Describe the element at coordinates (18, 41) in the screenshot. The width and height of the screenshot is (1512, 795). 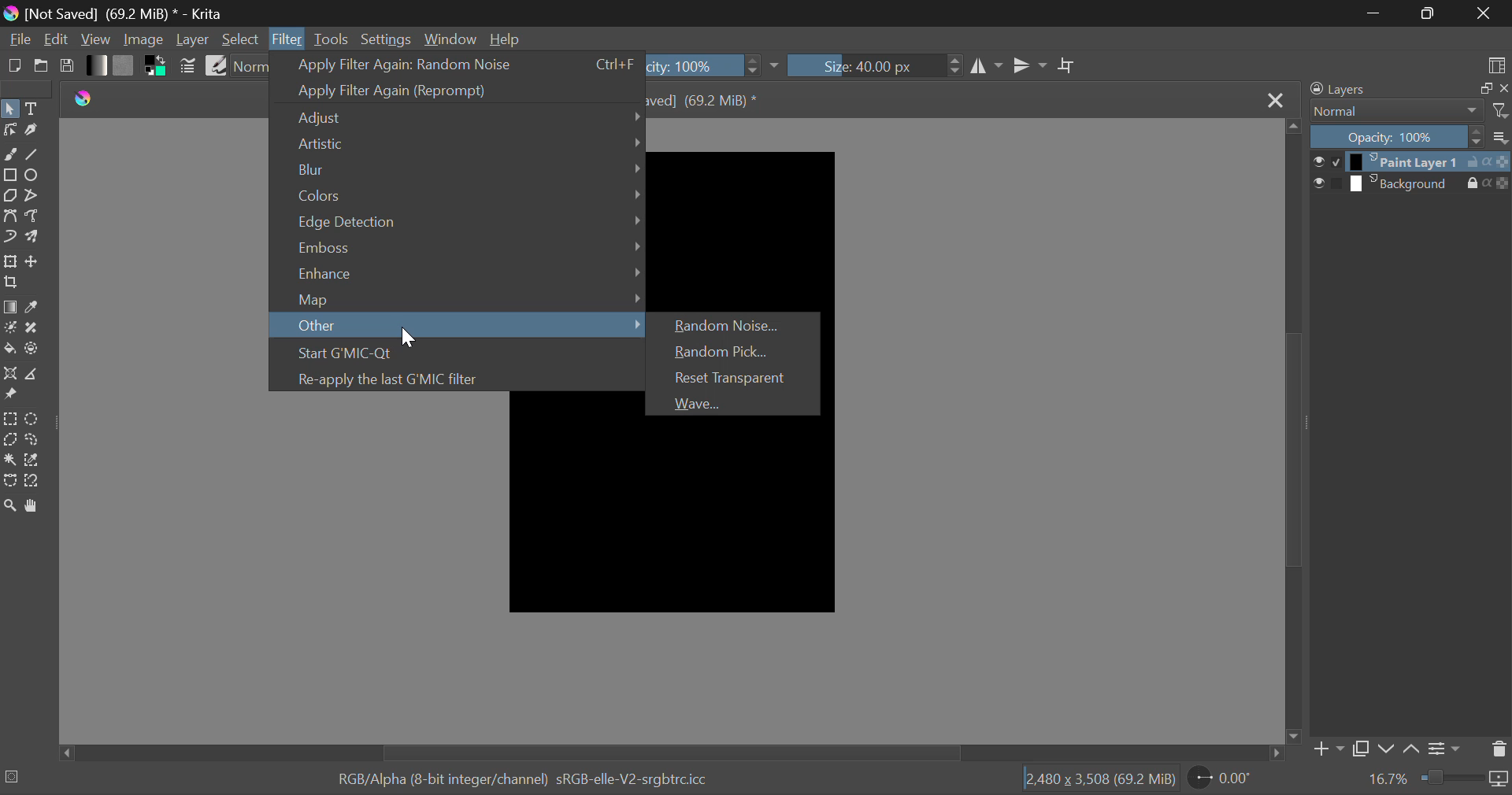
I see `File` at that location.